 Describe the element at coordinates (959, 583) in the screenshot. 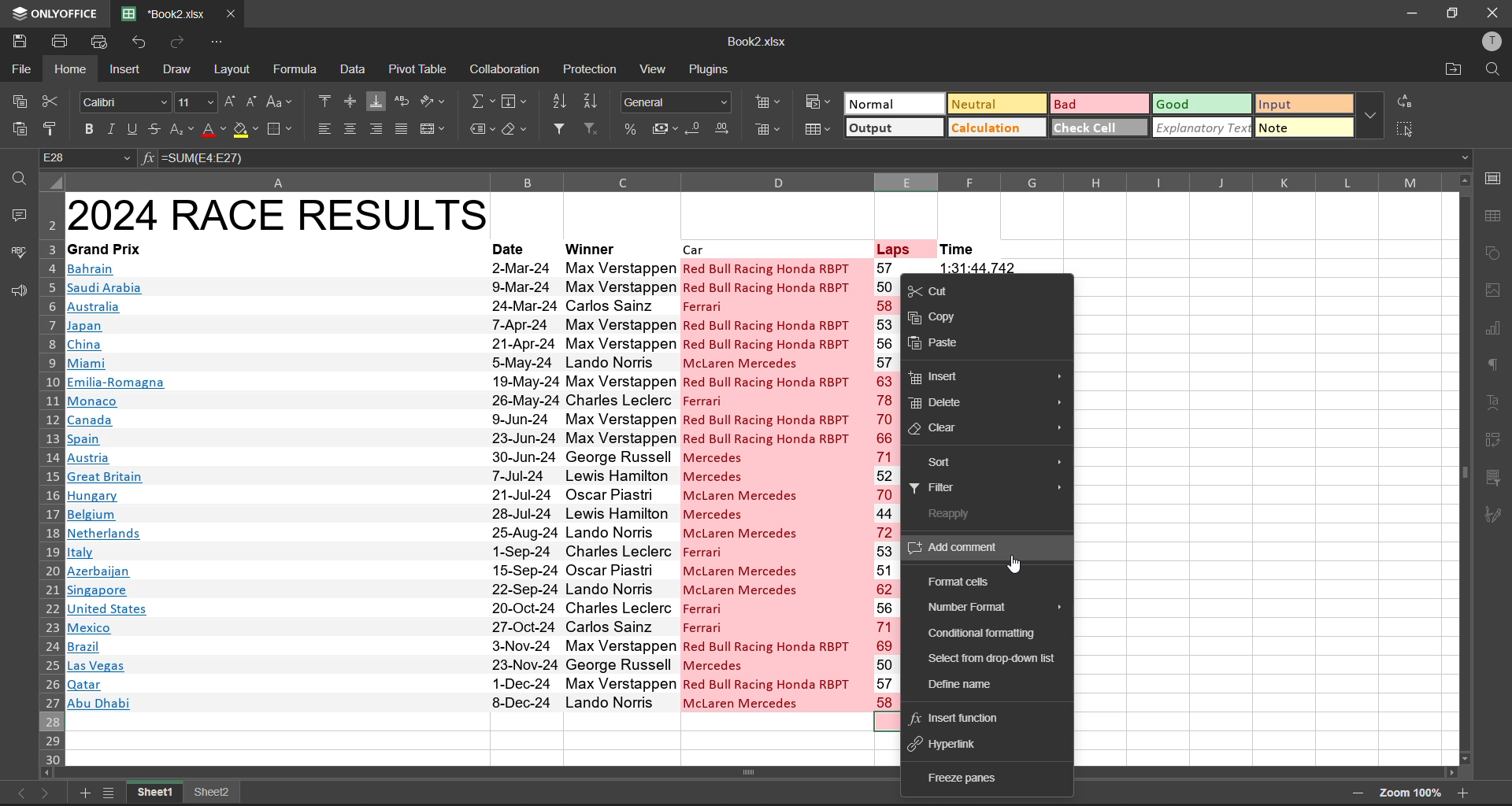

I see `format cells` at that location.